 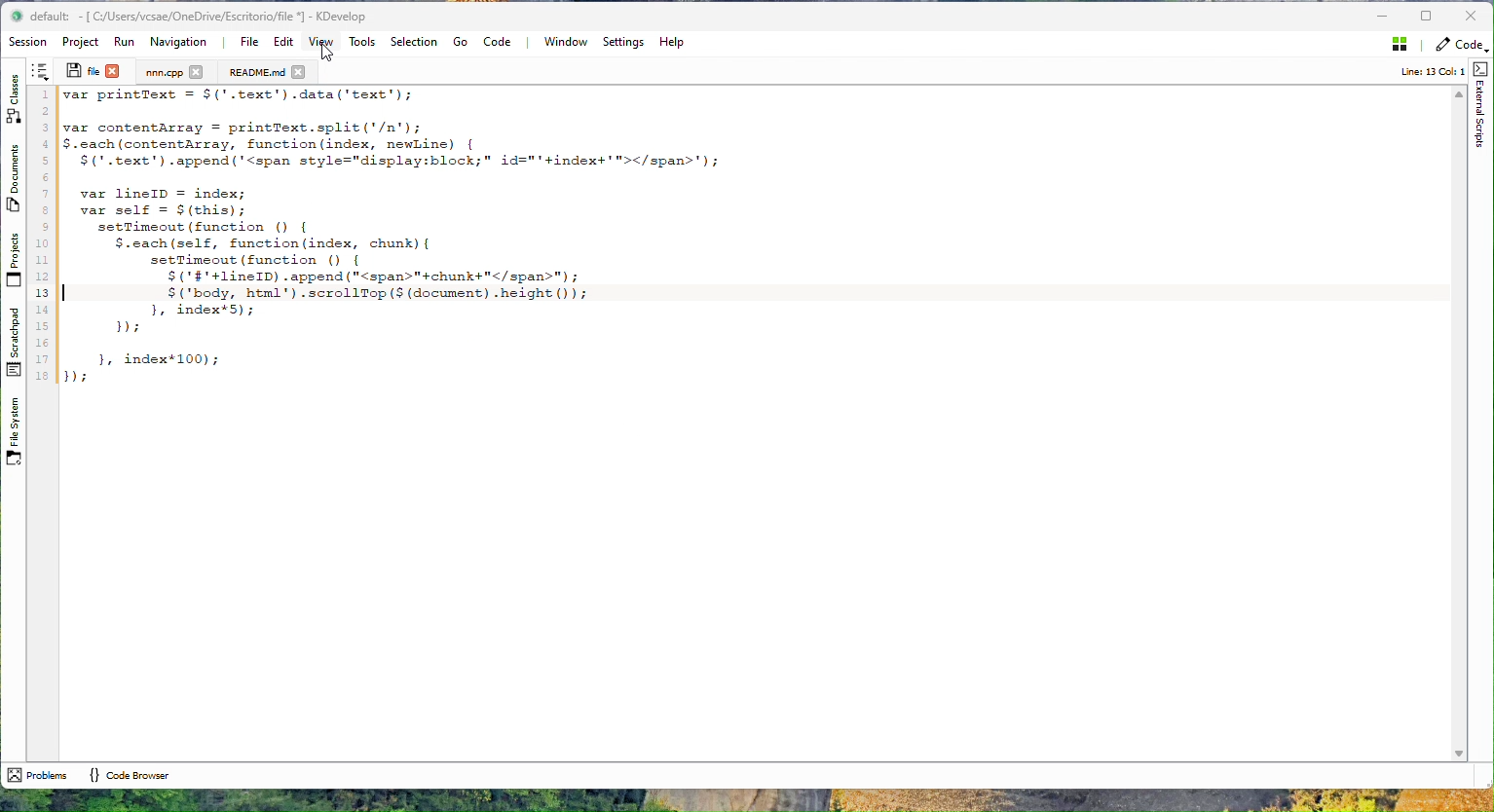 I want to click on cursor, so click(x=327, y=54).